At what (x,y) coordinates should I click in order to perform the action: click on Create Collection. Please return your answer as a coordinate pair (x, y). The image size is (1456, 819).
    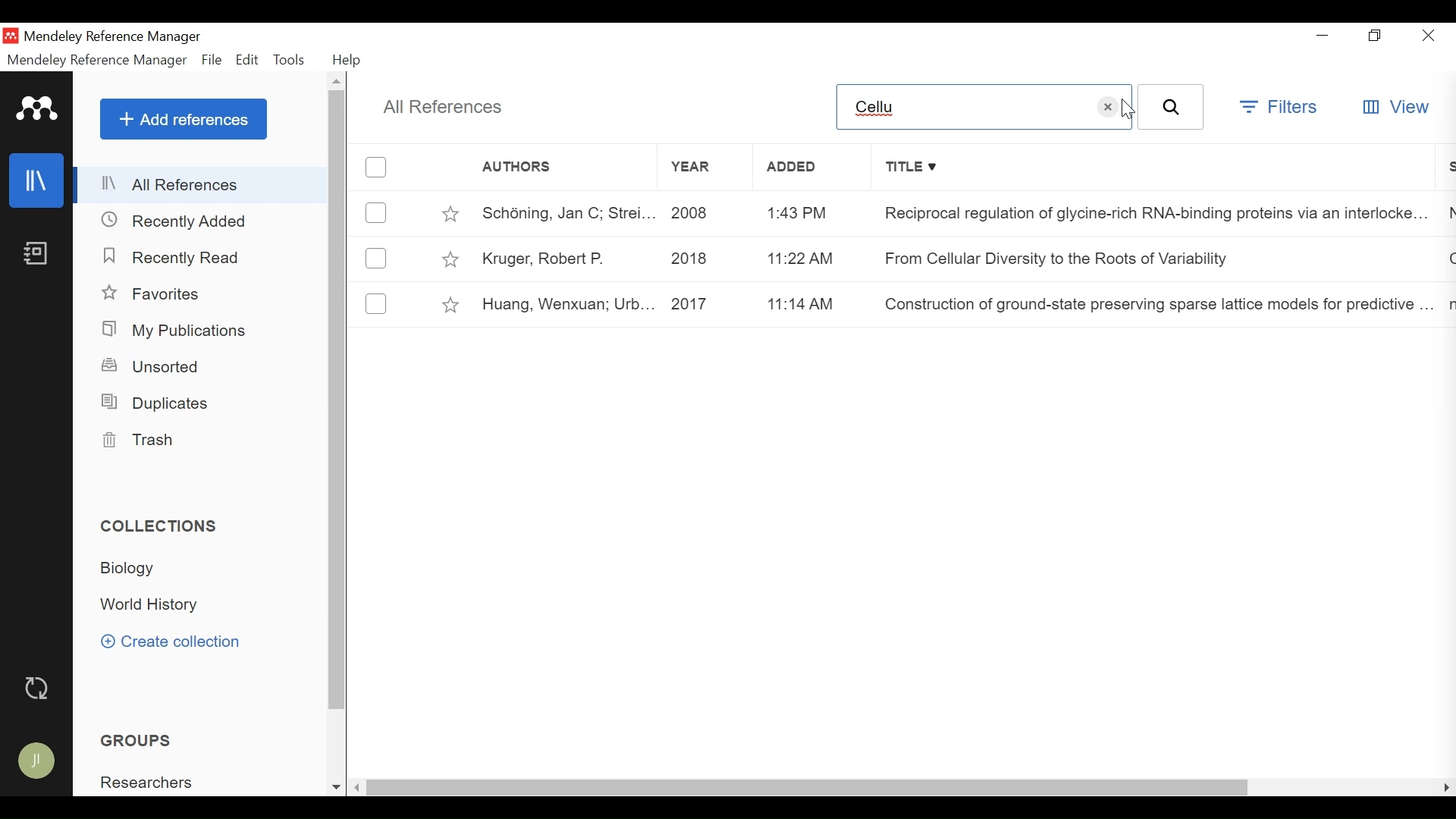
    Looking at the image, I should click on (170, 643).